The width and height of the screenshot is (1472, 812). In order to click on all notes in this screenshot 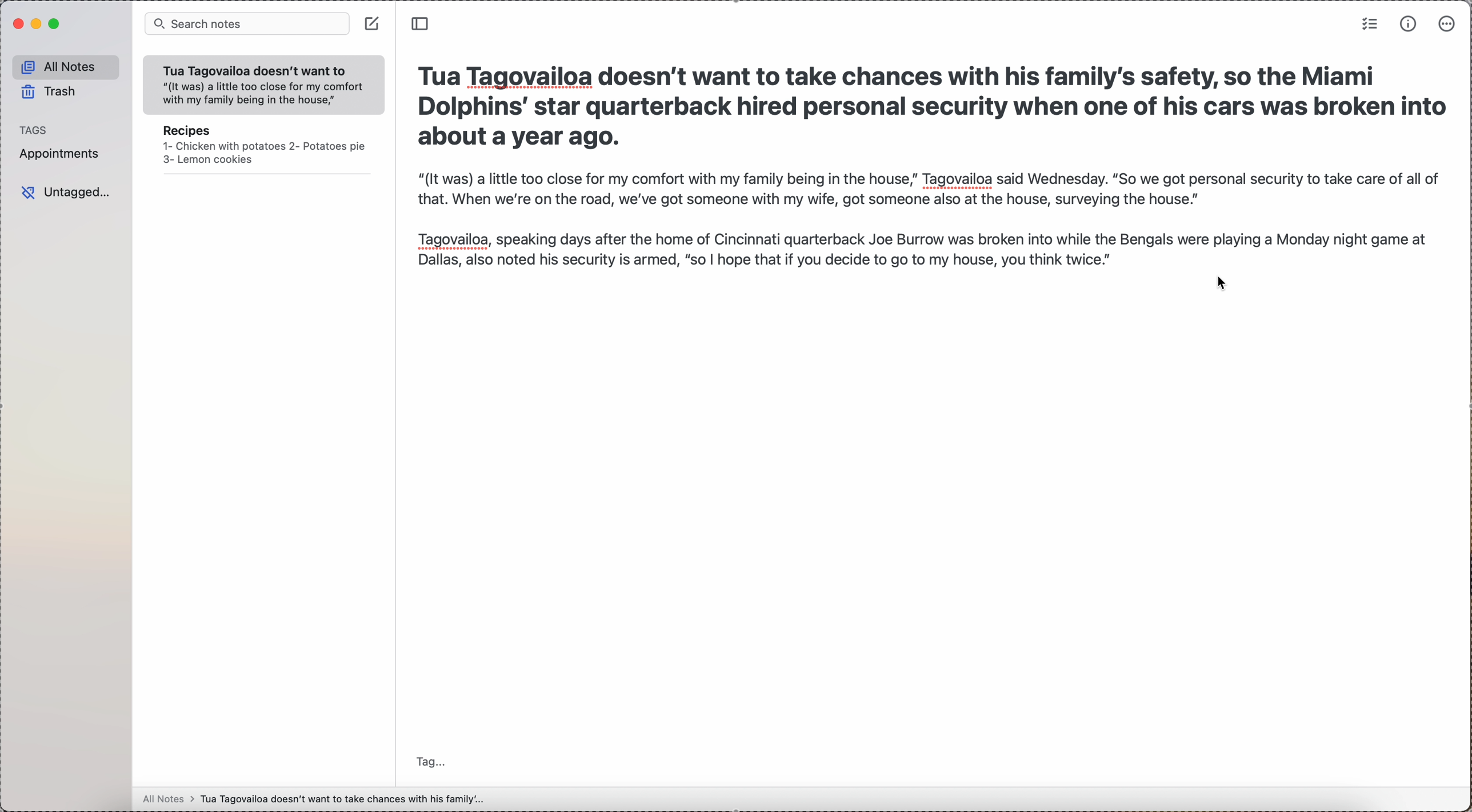, I will do `click(312, 801)`.